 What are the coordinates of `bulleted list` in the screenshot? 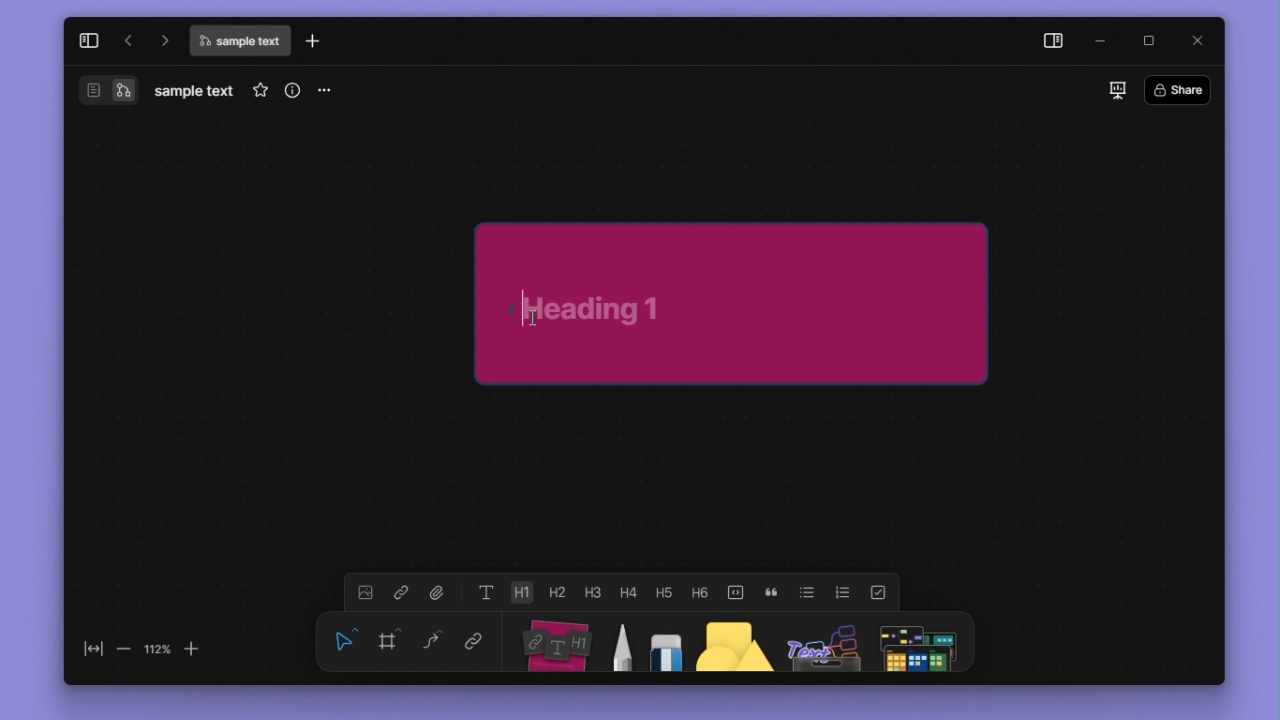 It's located at (807, 592).